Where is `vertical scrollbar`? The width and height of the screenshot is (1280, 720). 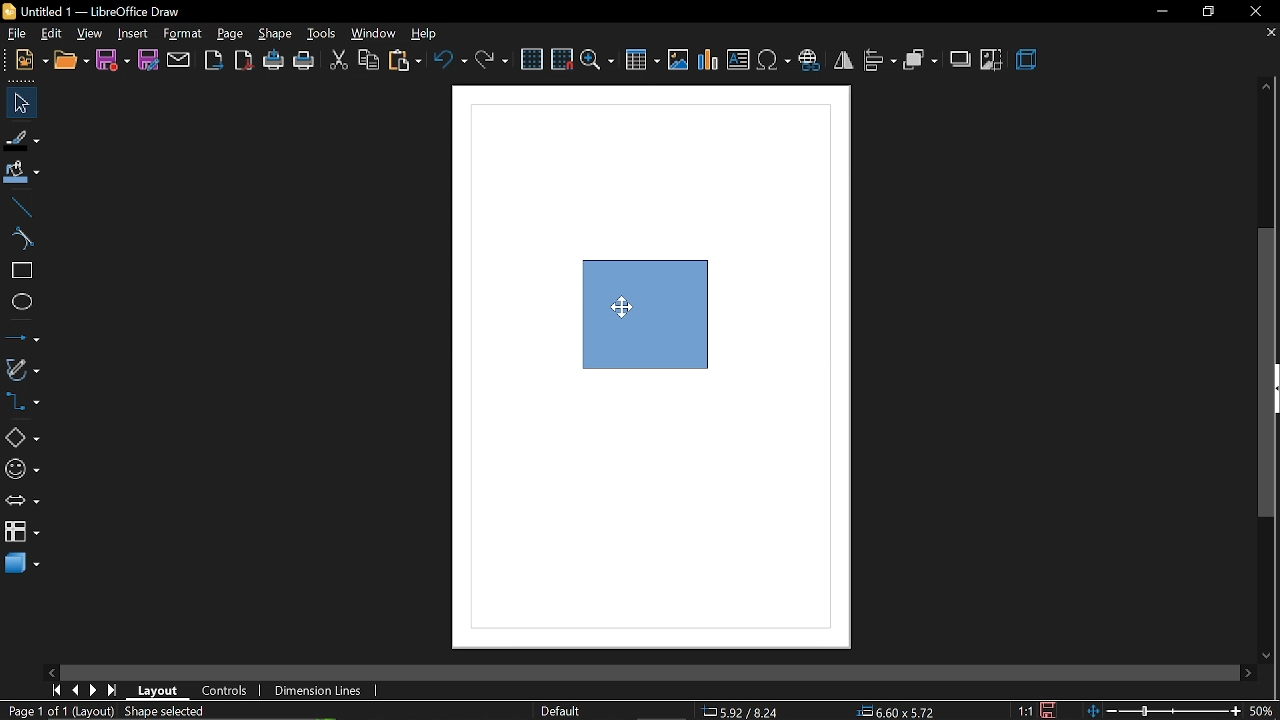 vertical scrollbar is located at coordinates (1270, 374).